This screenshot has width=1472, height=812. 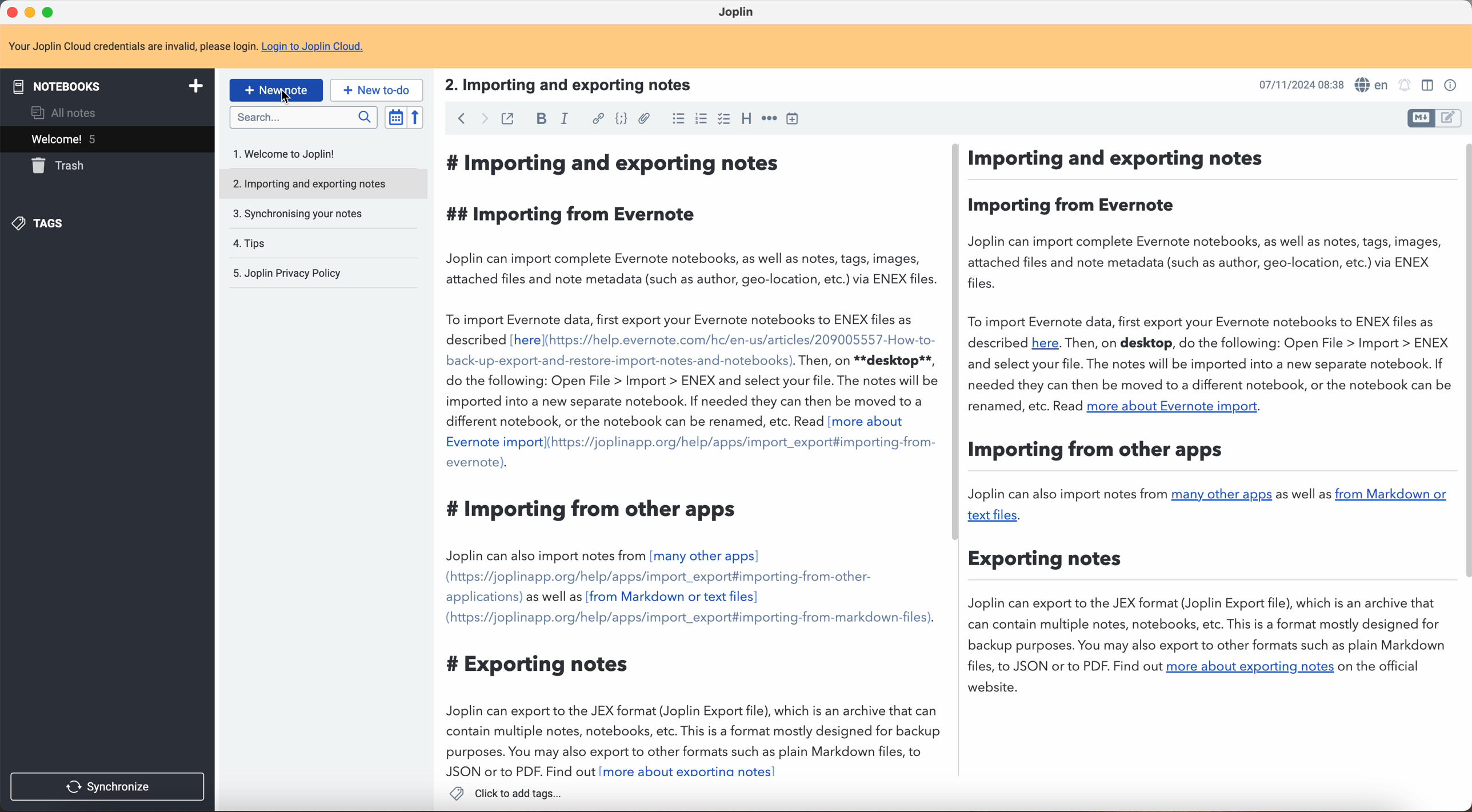 I want to click on note, so click(x=187, y=47).